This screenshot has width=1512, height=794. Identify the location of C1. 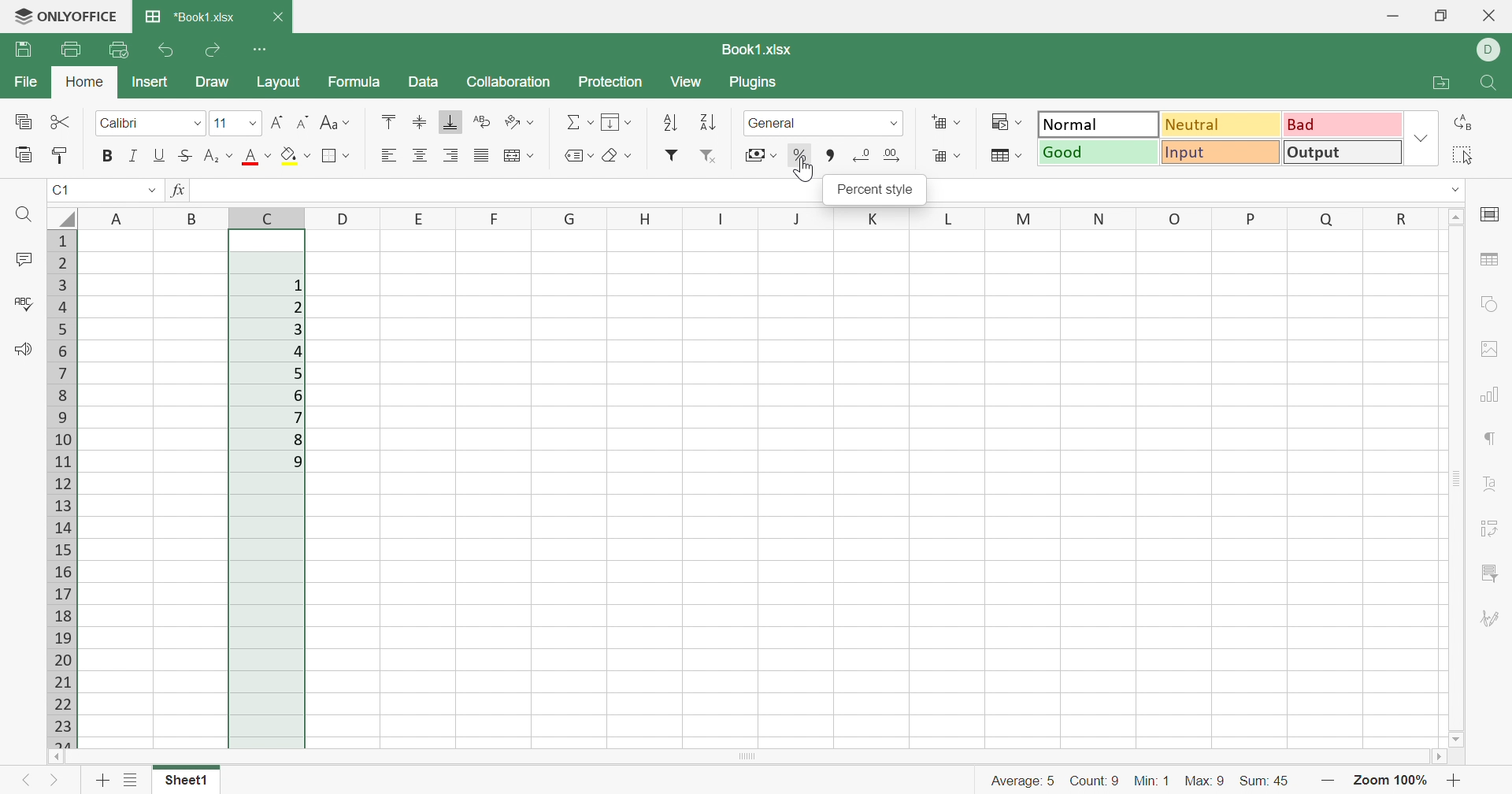
(60, 191).